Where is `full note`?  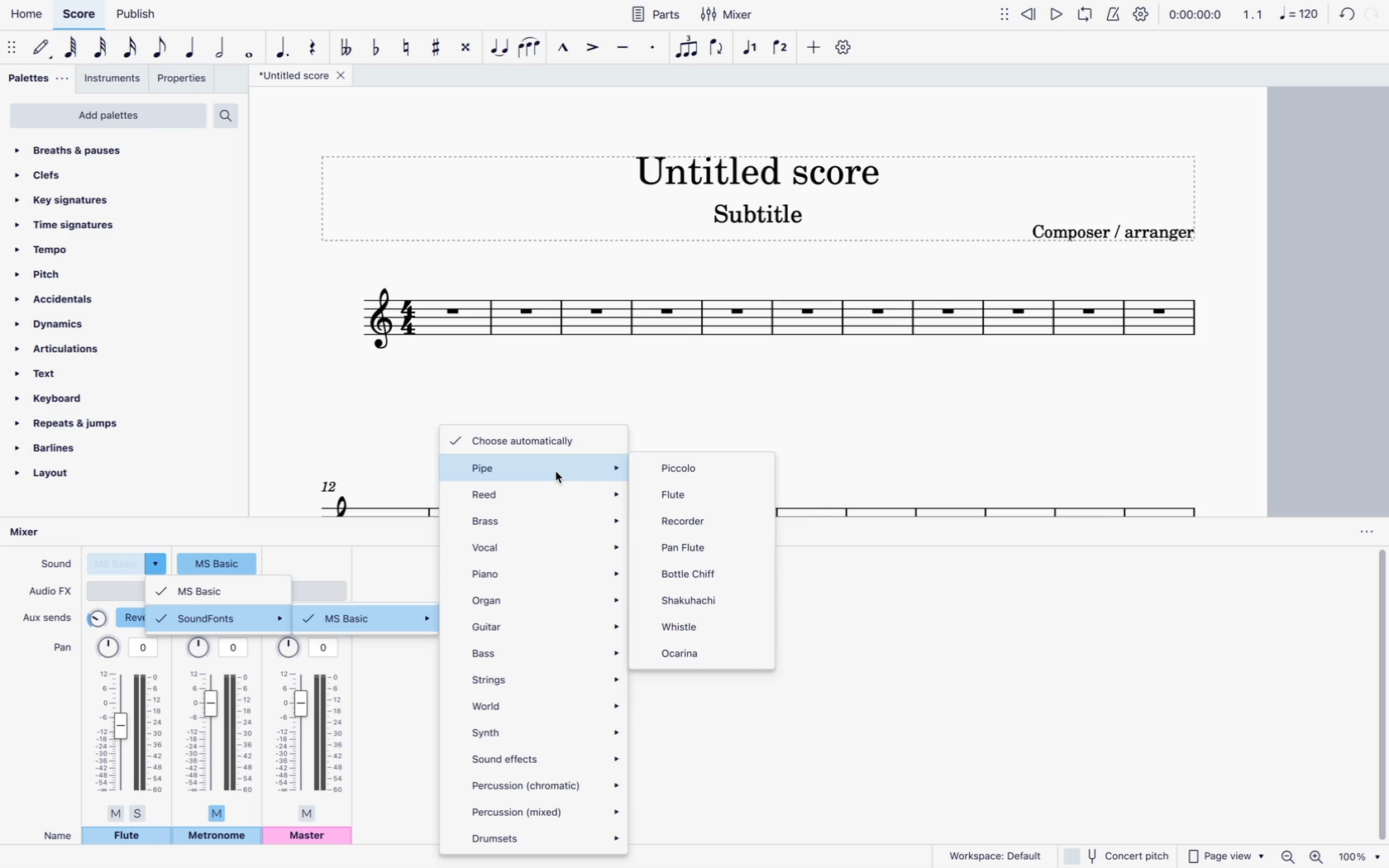
full note is located at coordinates (250, 48).